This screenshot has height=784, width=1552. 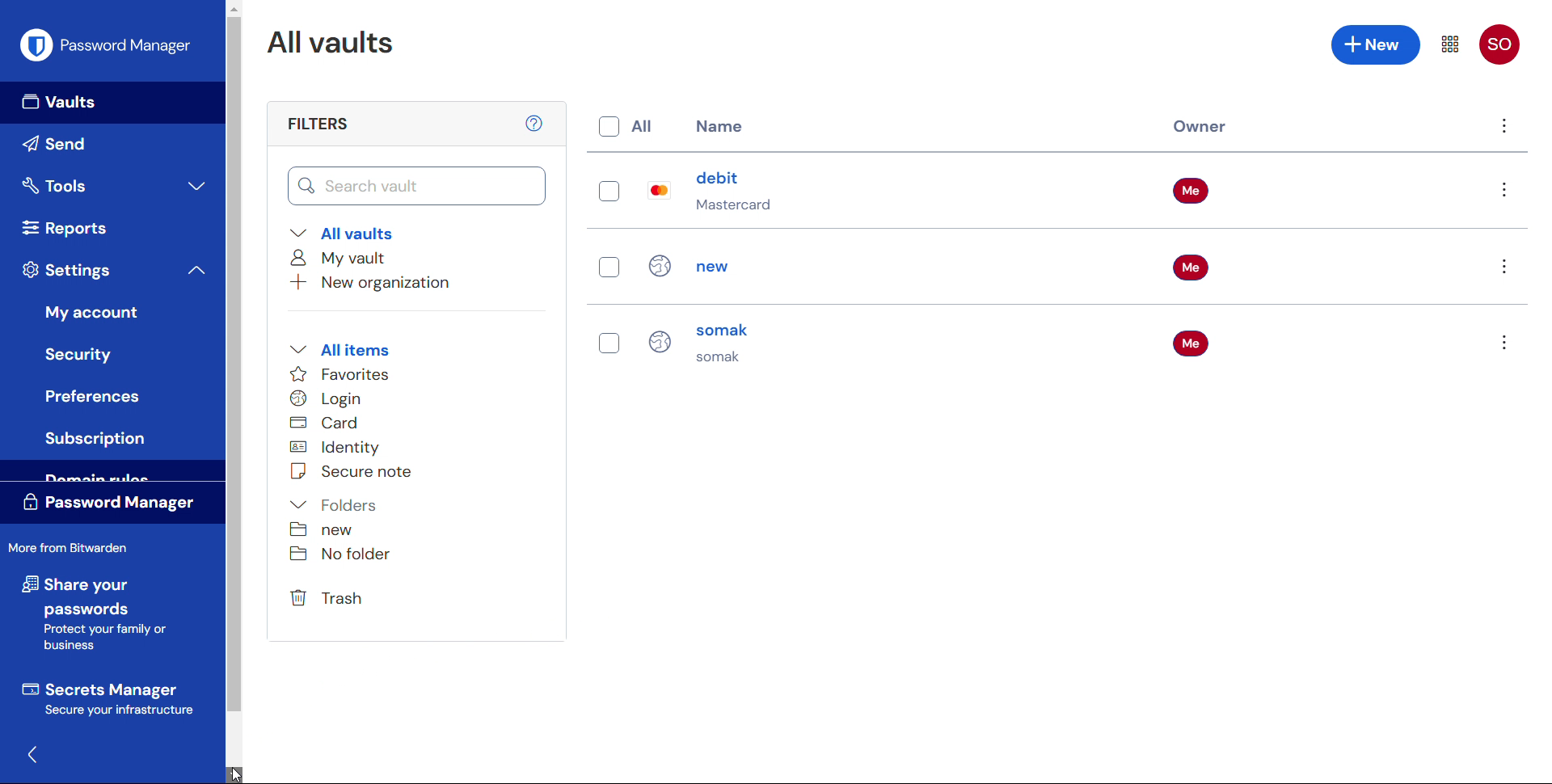 What do you see at coordinates (660, 271) in the screenshot?
I see `Icon for individual entries ` at bounding box center [660, 271].